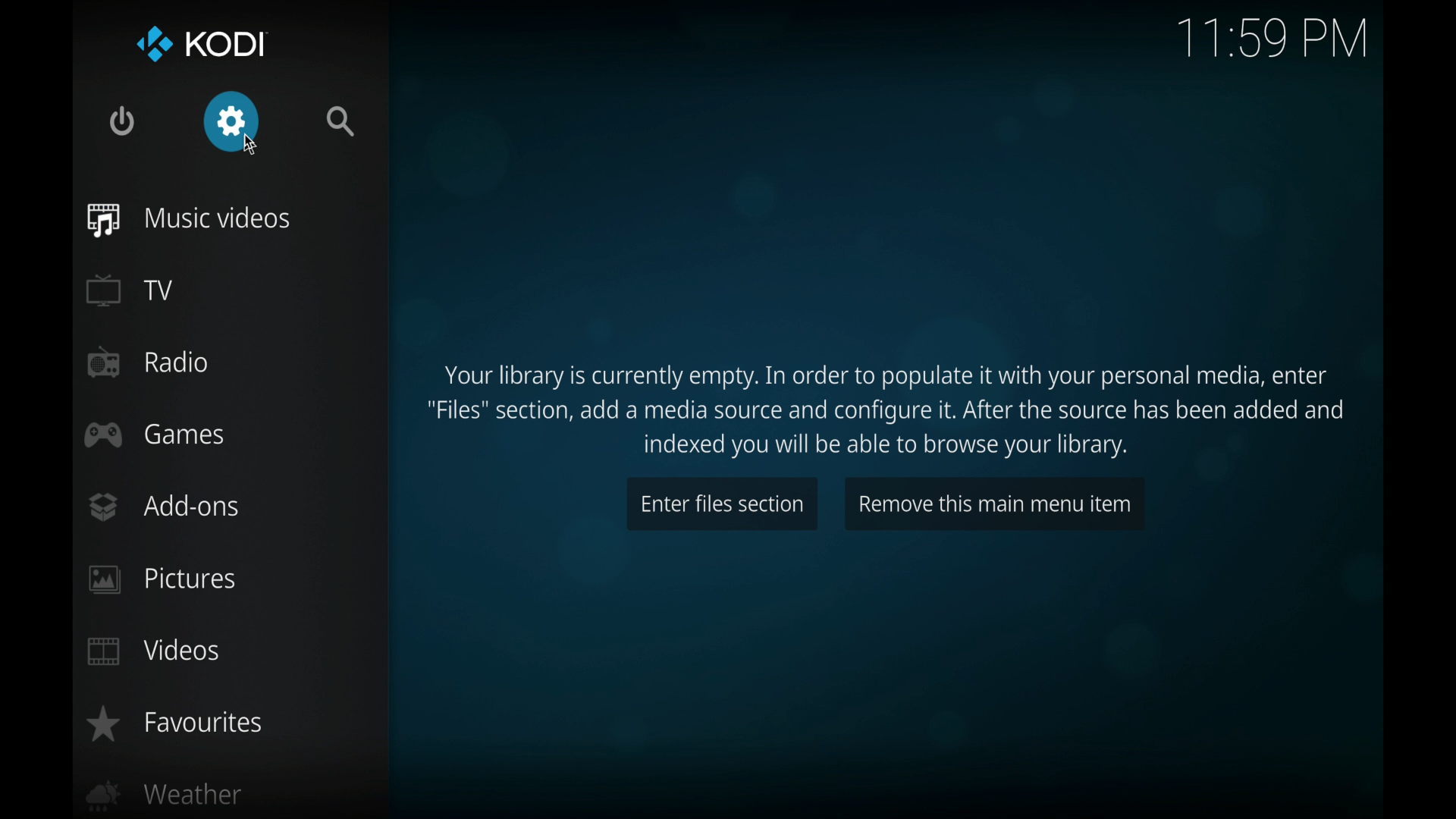 This screenshot has height=819, width=1456. What do you see at coordinates (1273, 39) in the screenshot?
I see `11.59 pm` at bounding box center [1273, 39].